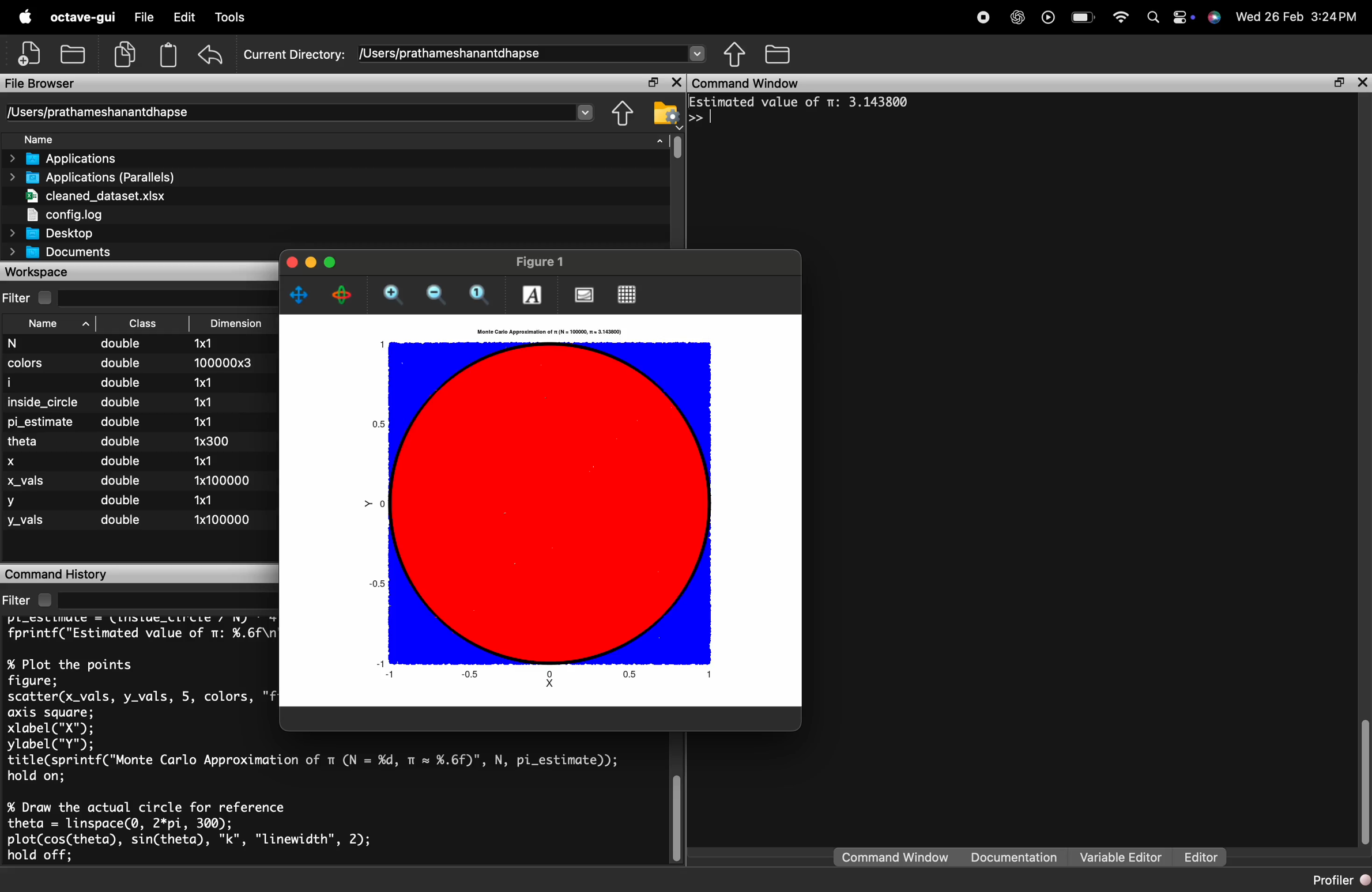  I want to click on title(sprintf("Monte Carlo Approximation of m (N = %d, m ~ %.6f)", N, pi_estimate));
hold on;

% Draw the actual circle for reference

theta = linspace(@, 2*pi, 300);

plot(cos(theta), sin(theta), "k", "linewidth", 2);

hold off;, so click(316, 809).